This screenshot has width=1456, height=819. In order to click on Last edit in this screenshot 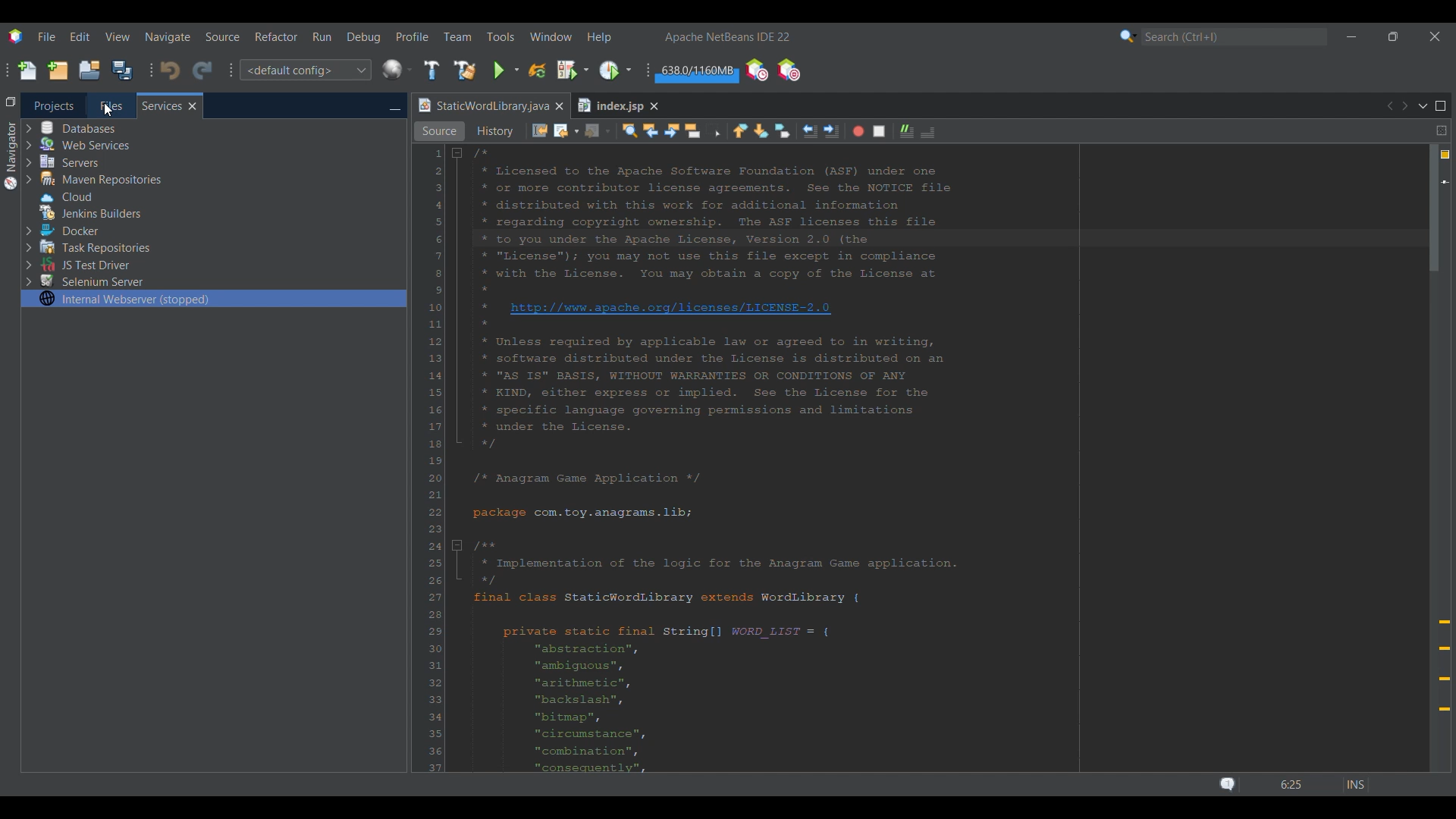, I will do `click(540, 130)`.